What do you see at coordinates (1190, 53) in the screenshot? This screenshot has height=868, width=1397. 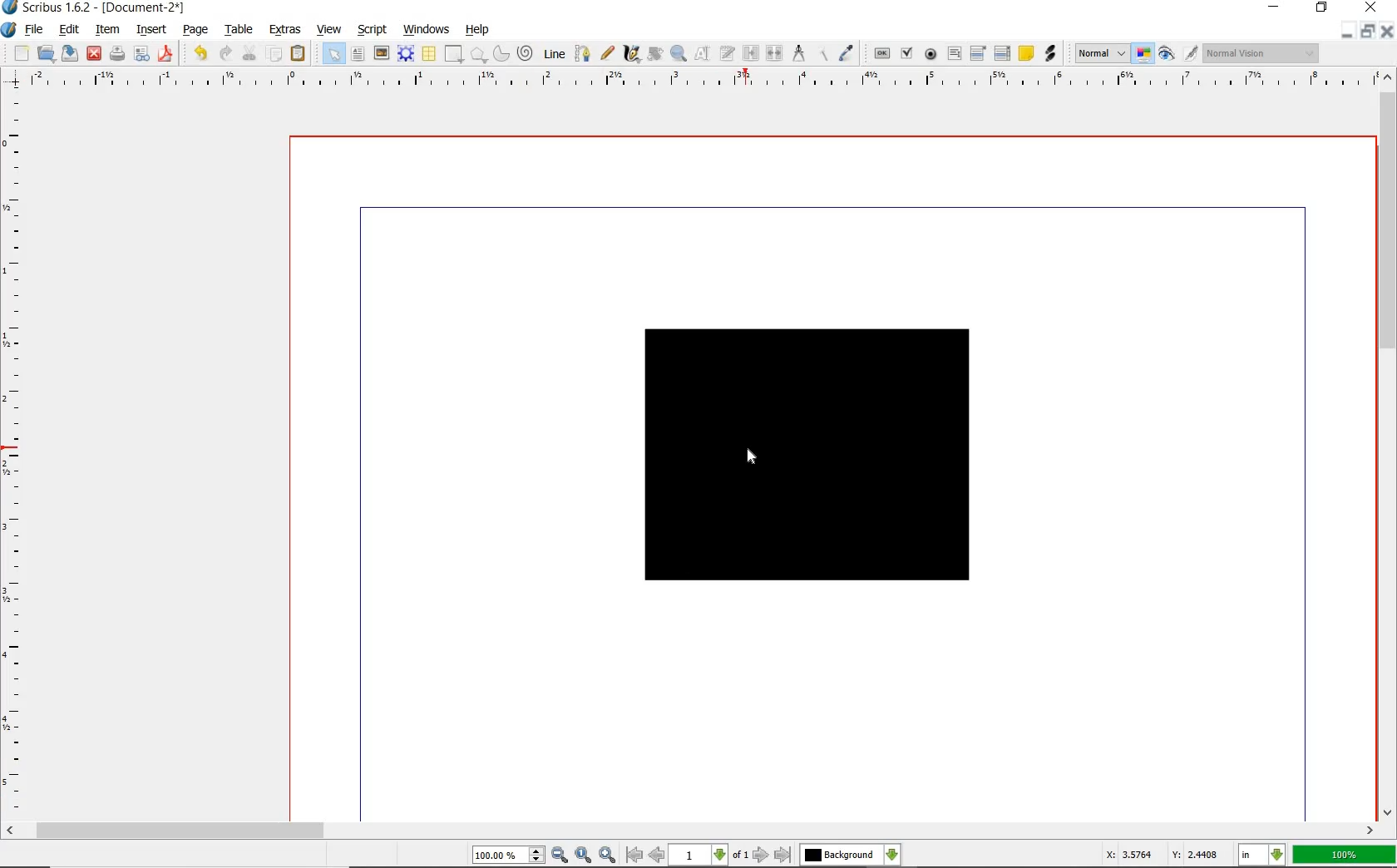 I see `edit in preview mode` at bounding box center [1190, 53].